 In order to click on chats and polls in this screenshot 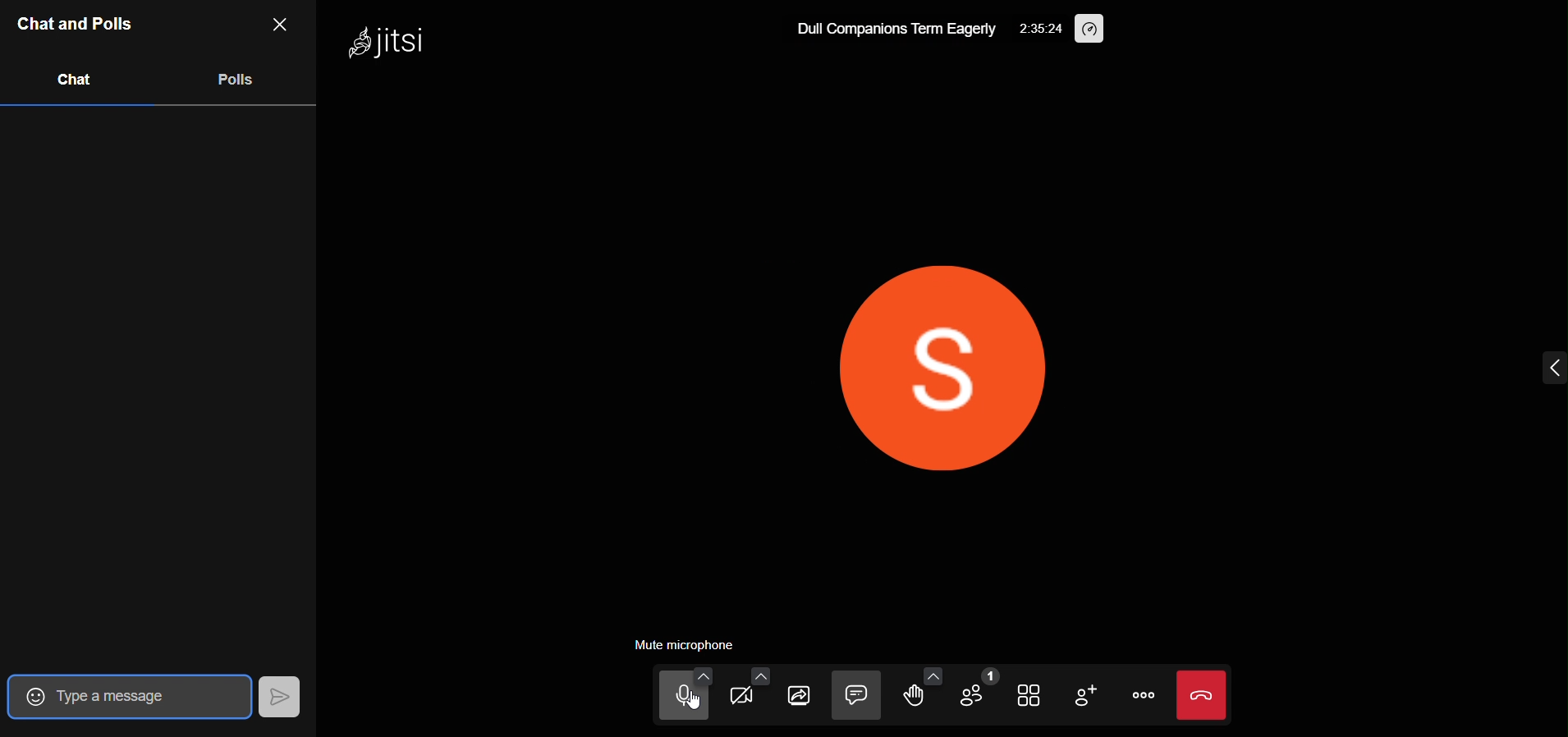, I will do `click(76, 24)`.